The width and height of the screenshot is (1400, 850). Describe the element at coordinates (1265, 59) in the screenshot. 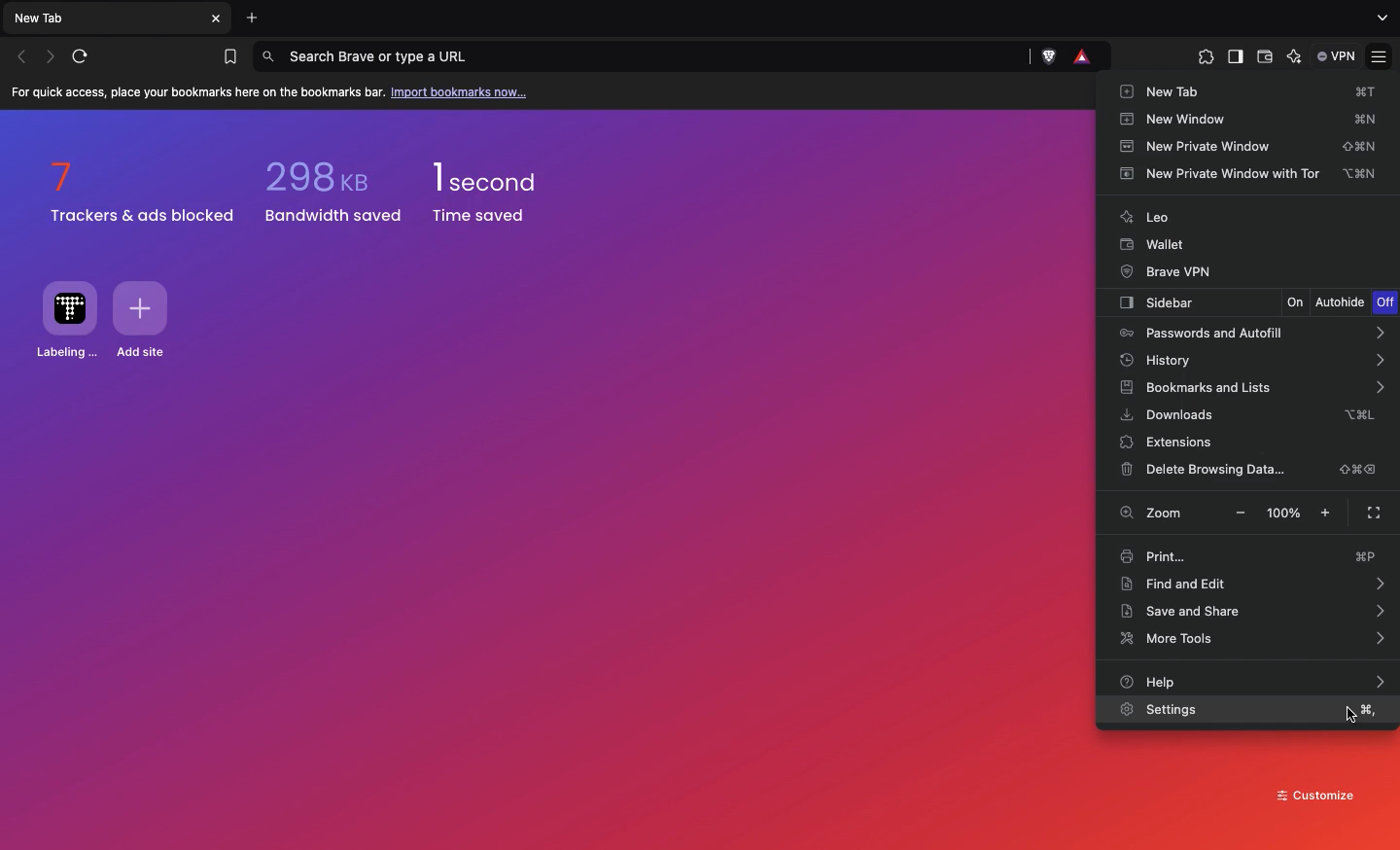

I see `Wallet` at that location.